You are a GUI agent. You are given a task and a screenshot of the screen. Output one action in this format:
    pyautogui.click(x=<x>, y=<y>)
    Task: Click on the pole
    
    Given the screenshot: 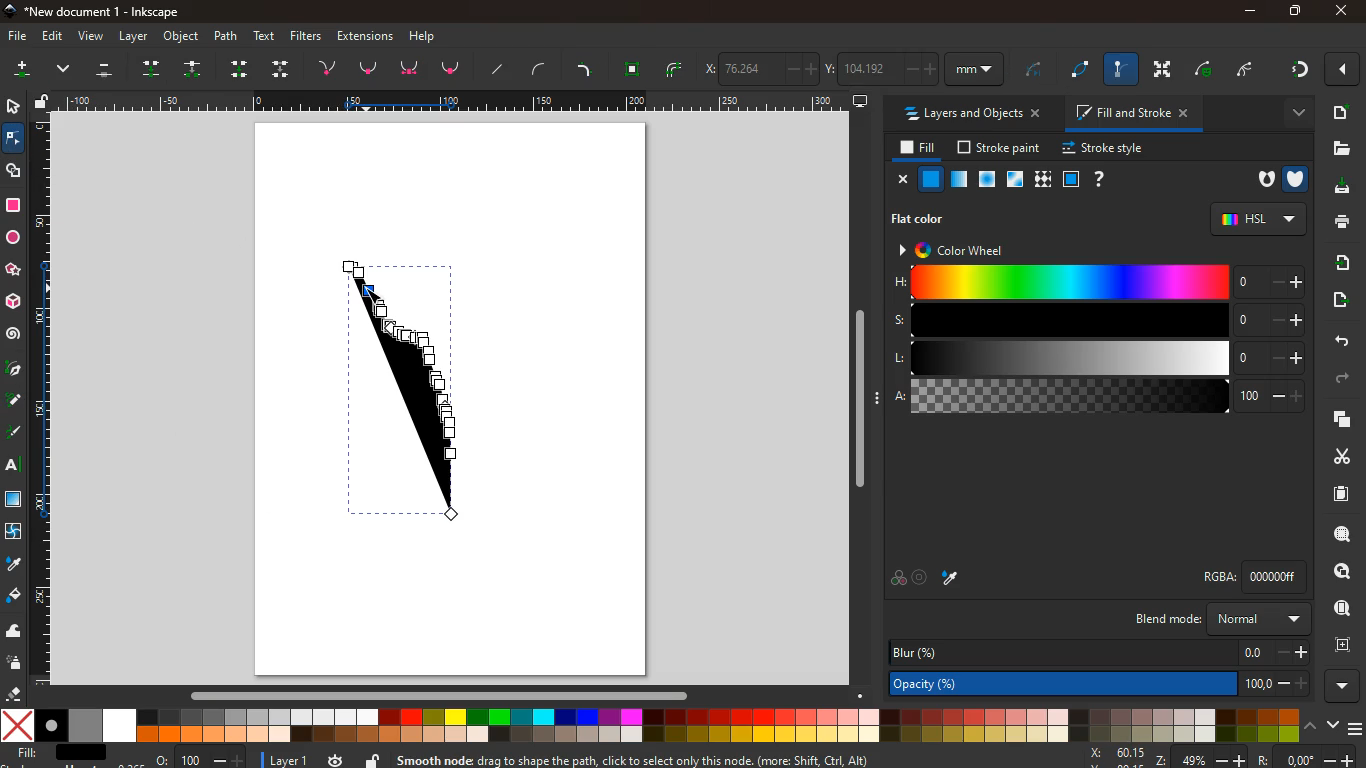 What is the action you would take?
    pyautogui.click(x=1123, y=70)
    